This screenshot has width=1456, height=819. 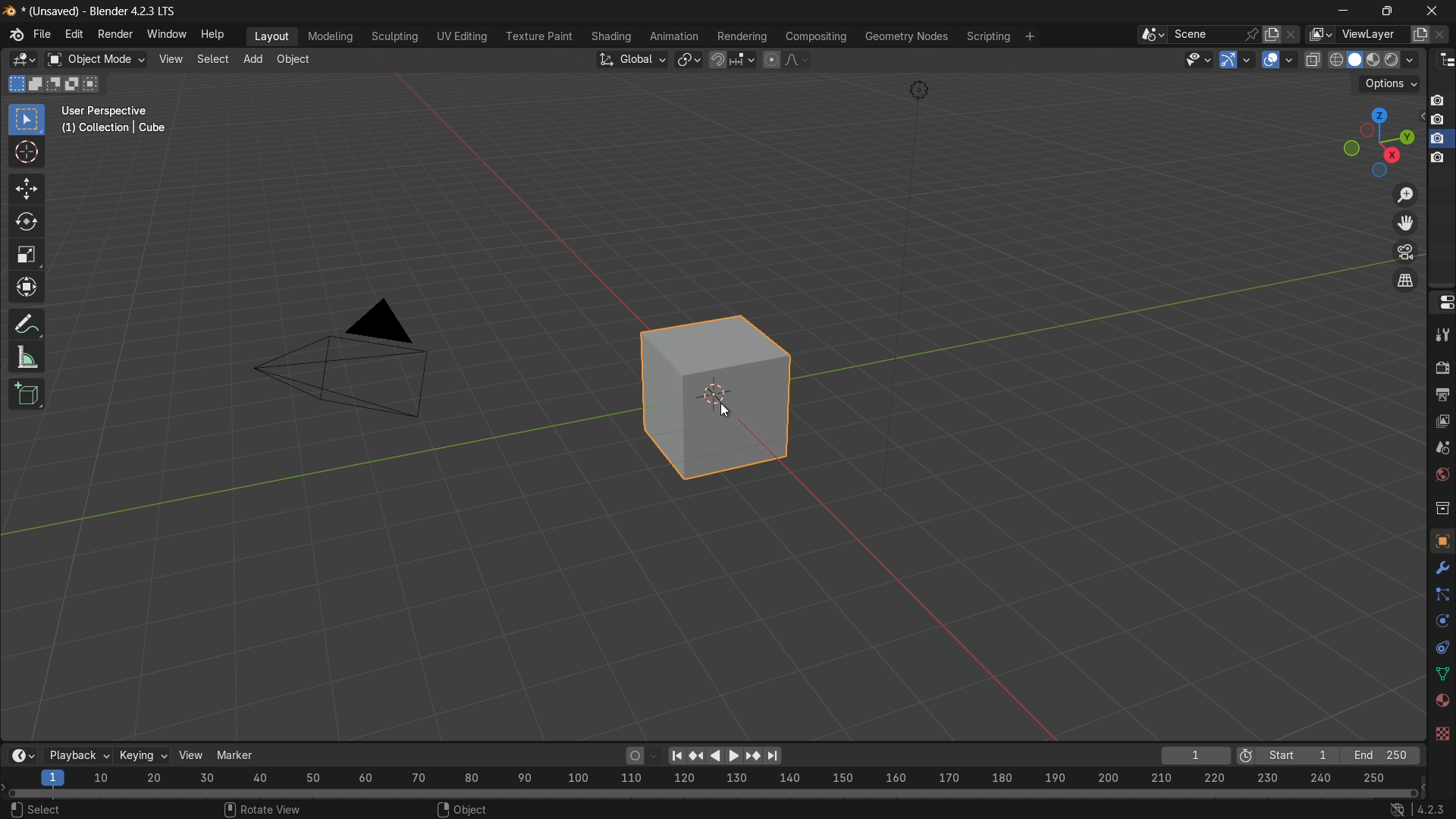 I want to click on wireframe display, so click(x=1335, y=60).